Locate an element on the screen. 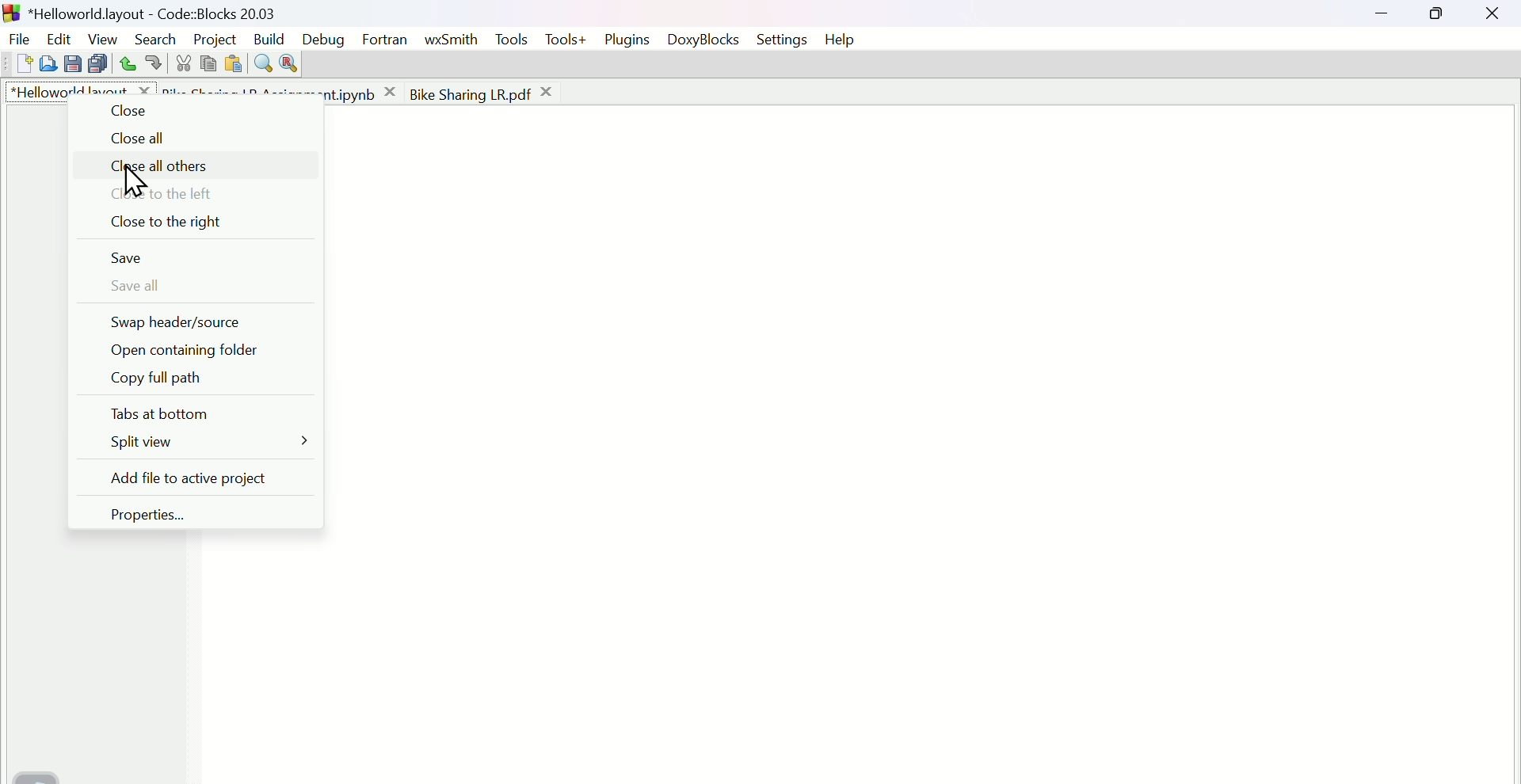  New  is located at coordinates (16, 64).